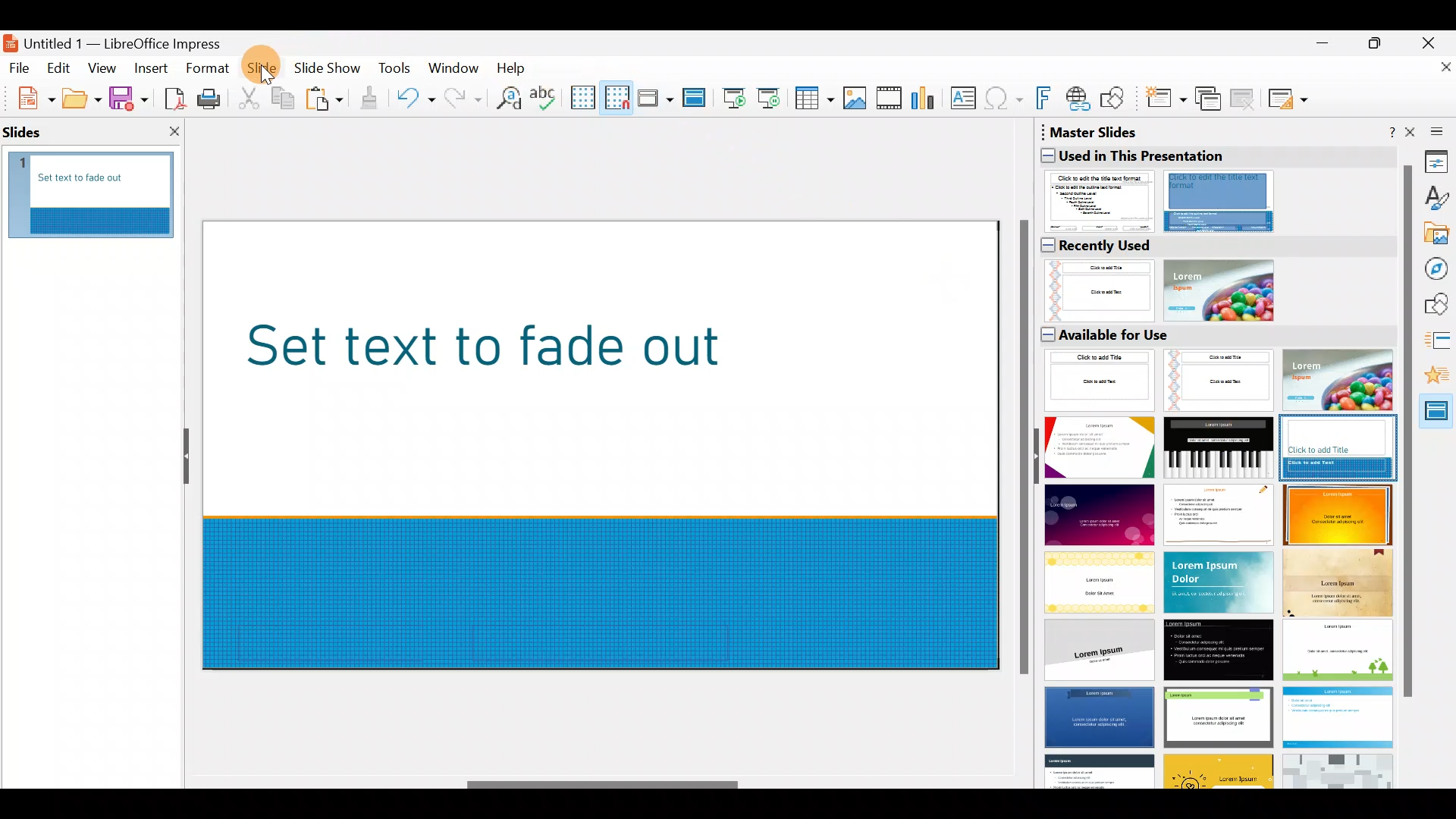  What do you see at coordinates (1437, 380) in the screenshot?
I see `Animation` at bounding box center [1437, 380].